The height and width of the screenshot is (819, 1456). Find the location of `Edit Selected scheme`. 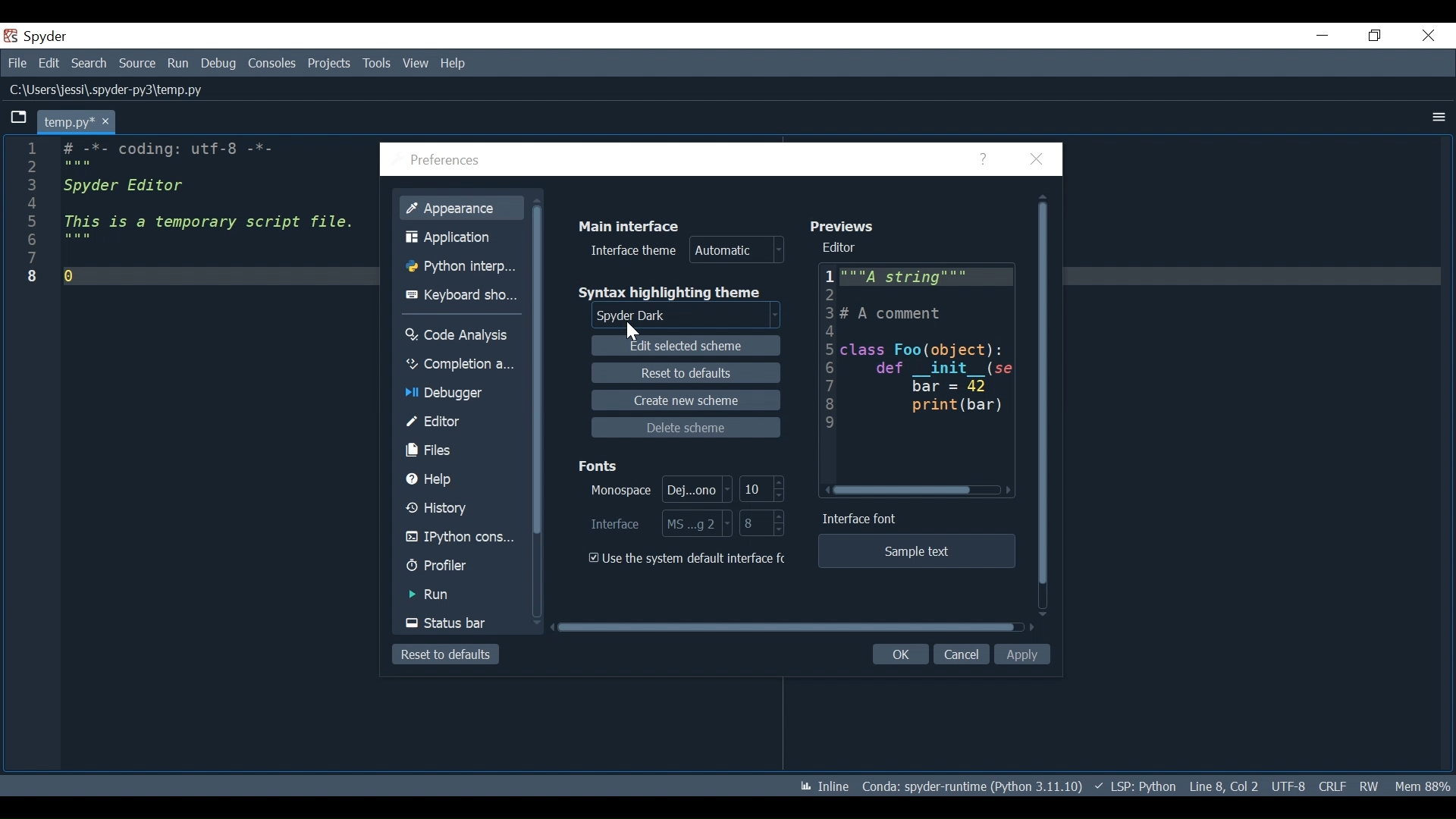

Edit Selected scheme is located at coordinates (686, 347).